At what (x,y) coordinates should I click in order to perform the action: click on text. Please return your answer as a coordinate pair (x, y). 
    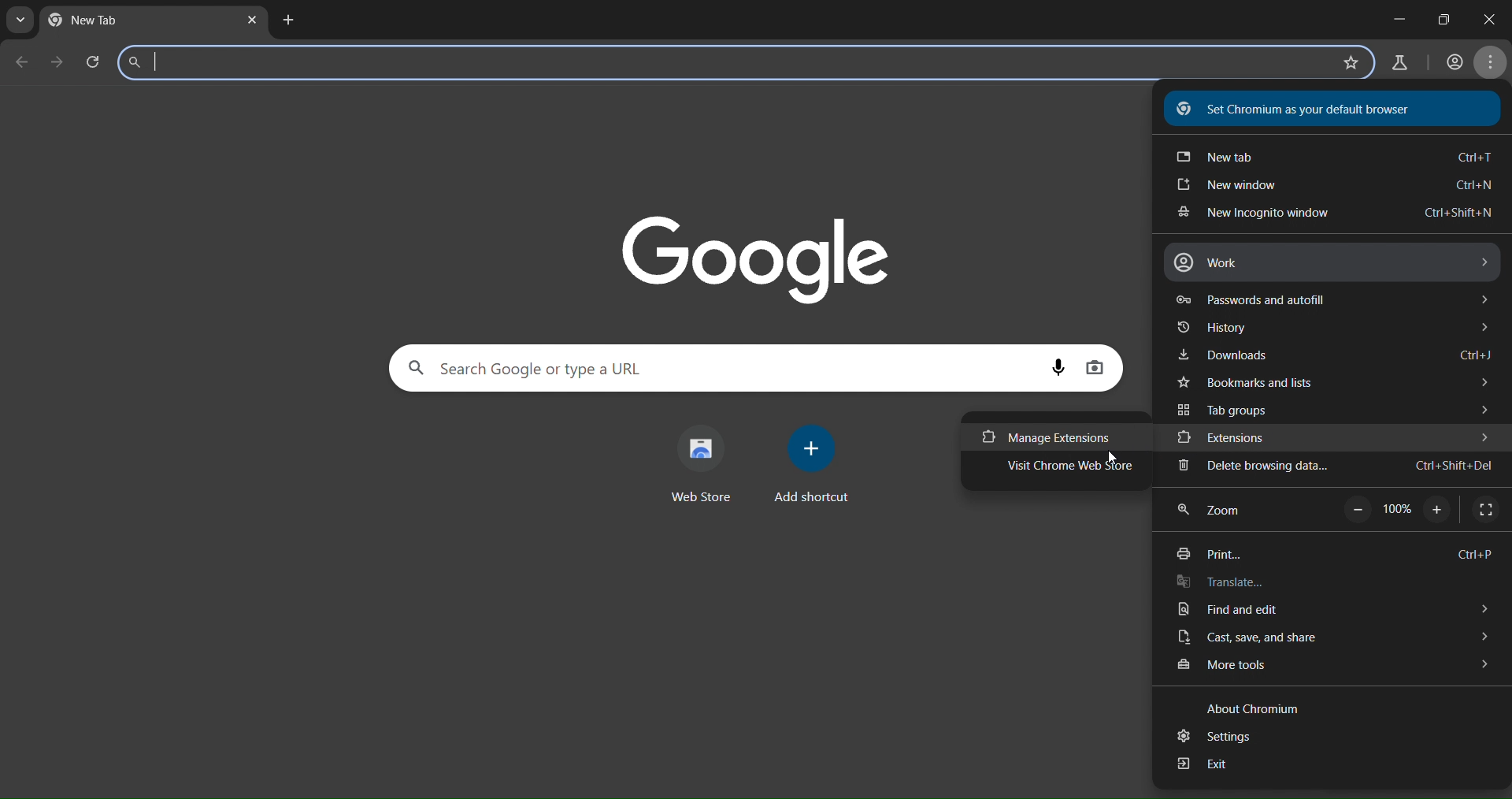
    Looking at the image, I should click on (1301, 110).